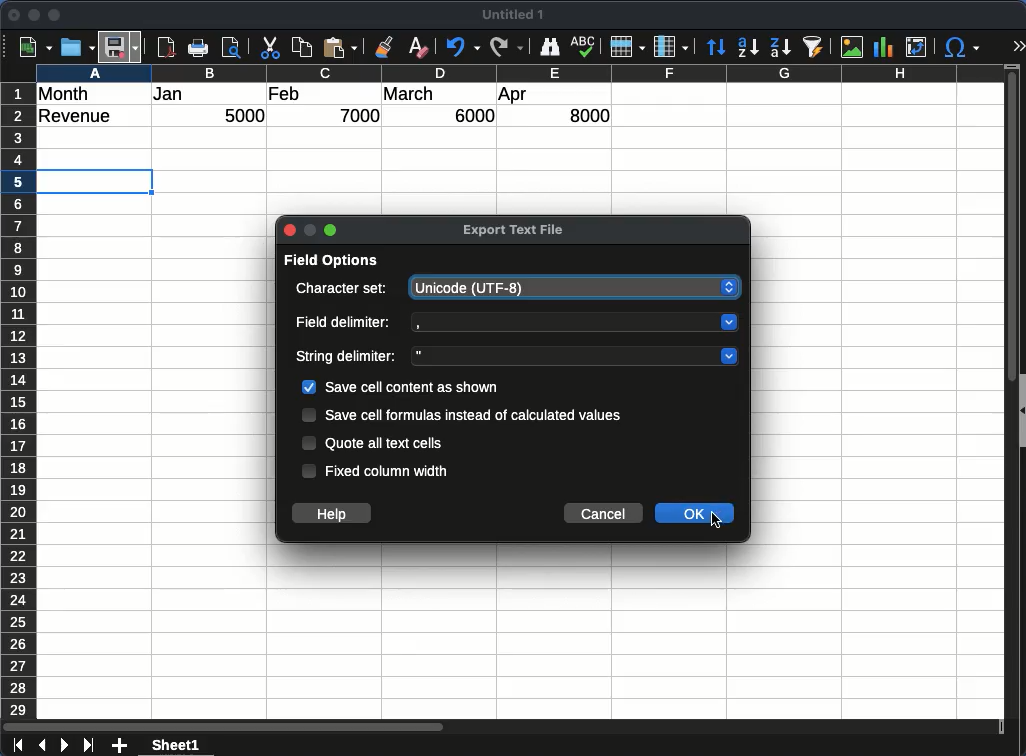 This screenshot has height=756, width=1026. I want to click on undo, so click(460, 48).